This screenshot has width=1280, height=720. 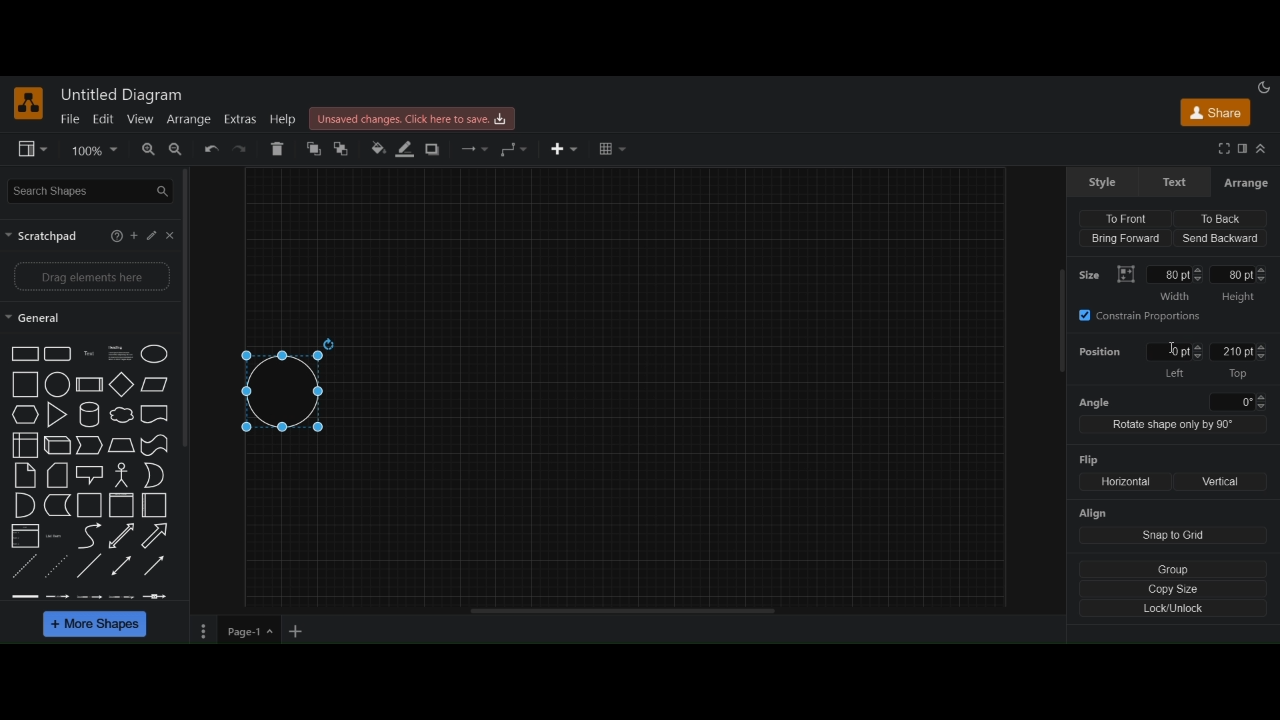 What do you see at coordinates (201, 633) in the screenshot?
I see `pages` at bounding box center [201, 633].